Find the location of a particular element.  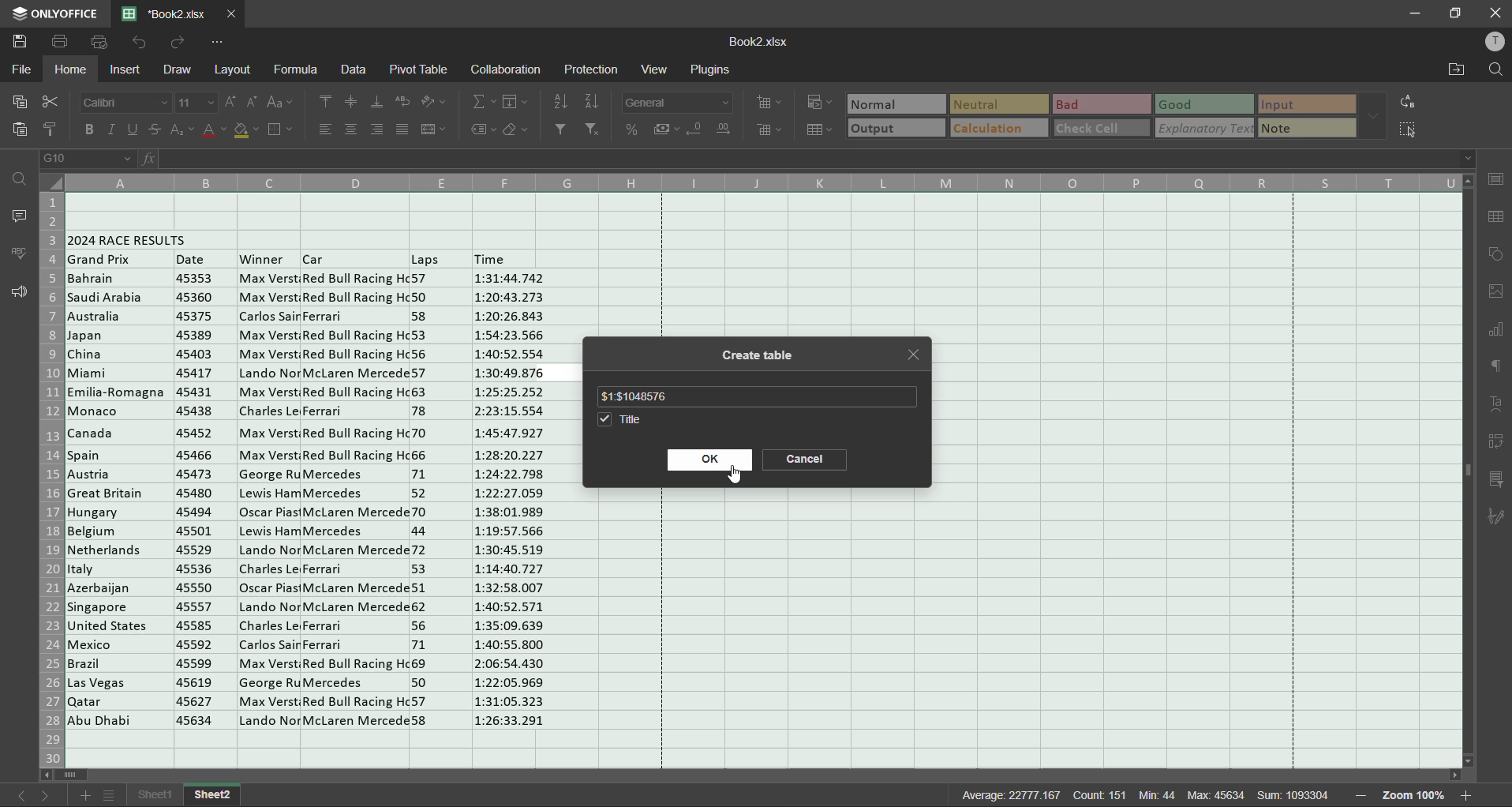

note is located at coordinates (1308, 128).